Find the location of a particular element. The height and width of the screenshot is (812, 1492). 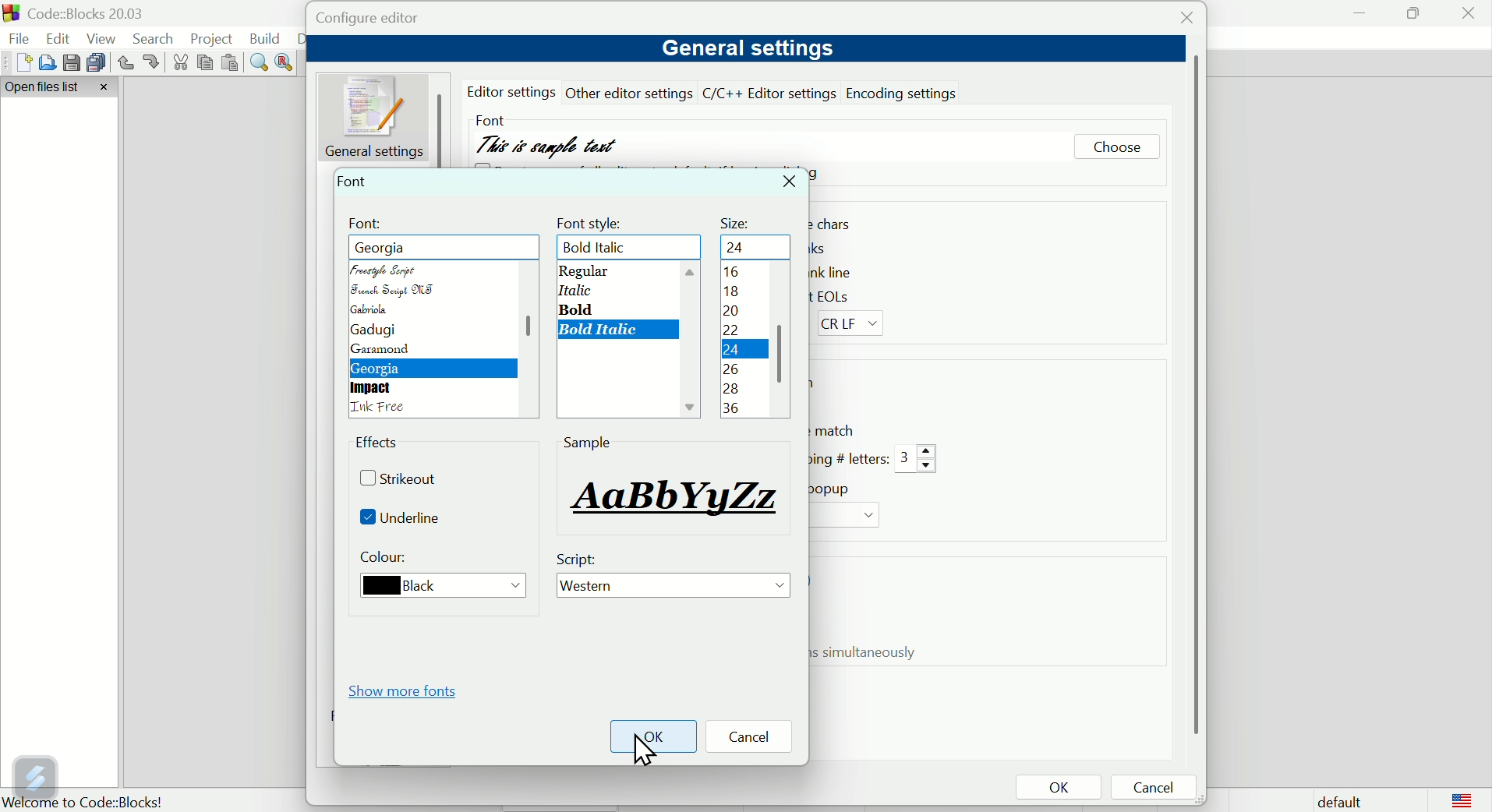

Script is located at coordinates (581, 560).